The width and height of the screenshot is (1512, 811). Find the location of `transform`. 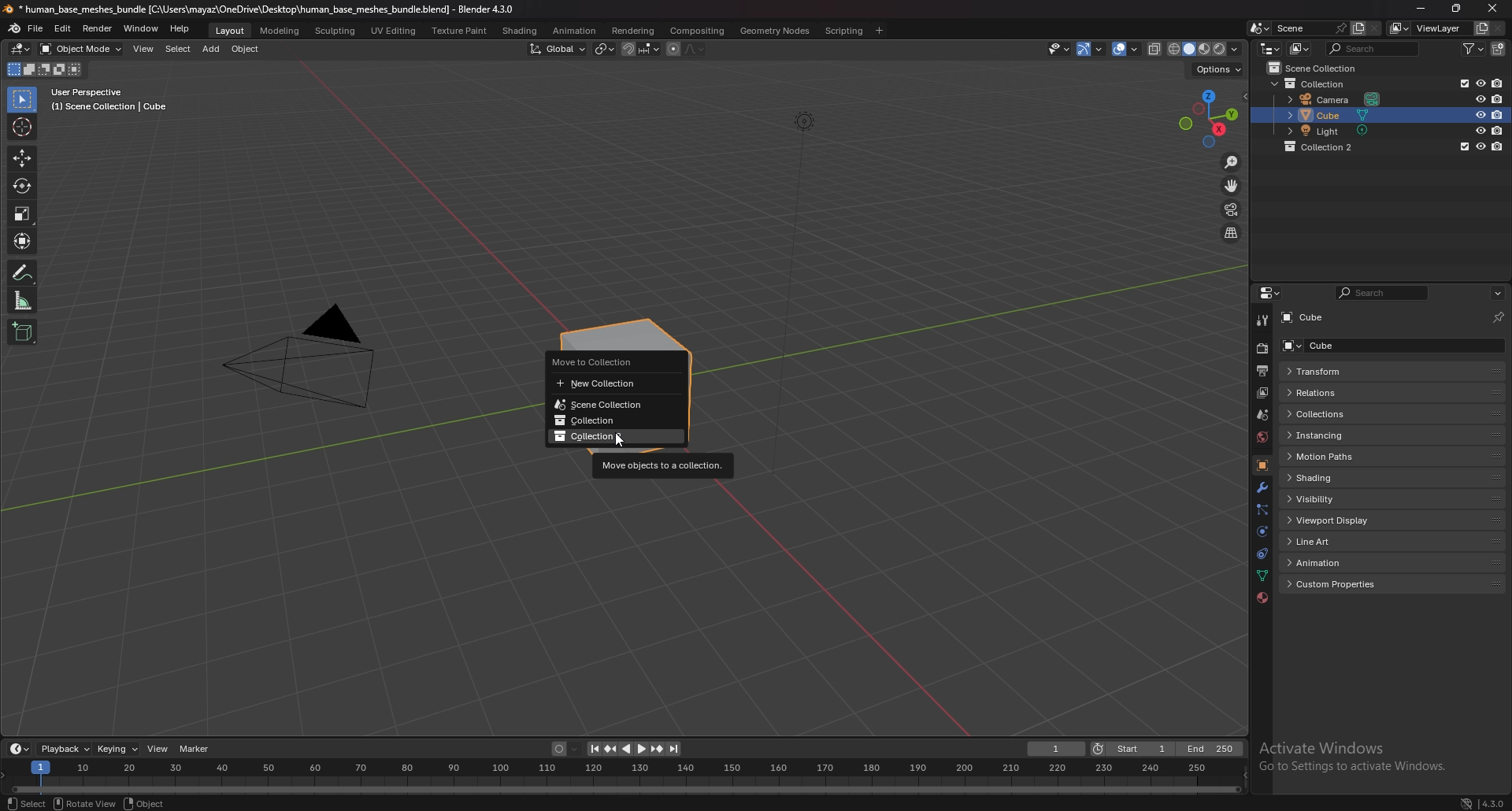

transform is located at coordinates (24, 239).